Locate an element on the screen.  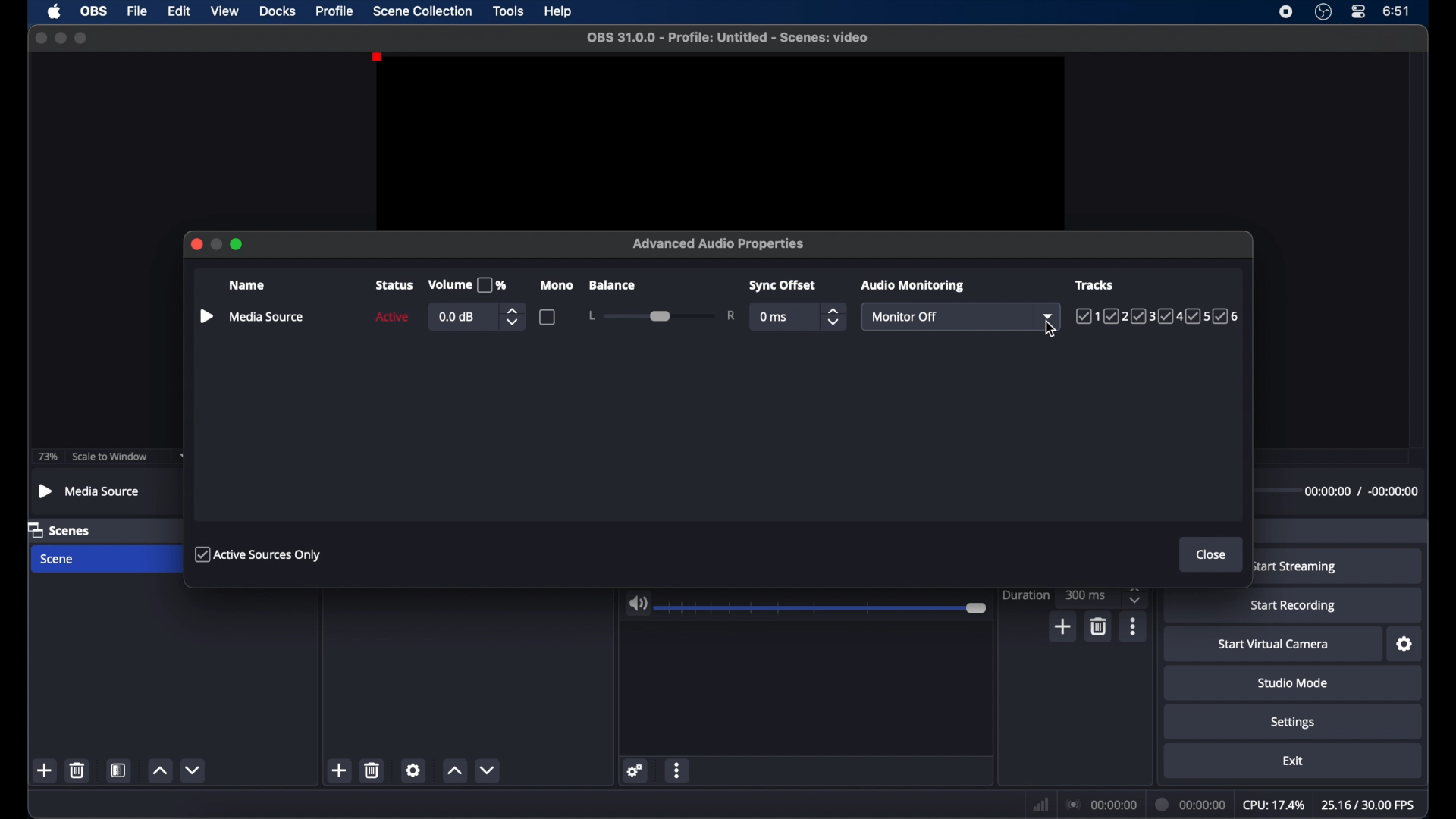
duration is located at coordinates (1027, 596).